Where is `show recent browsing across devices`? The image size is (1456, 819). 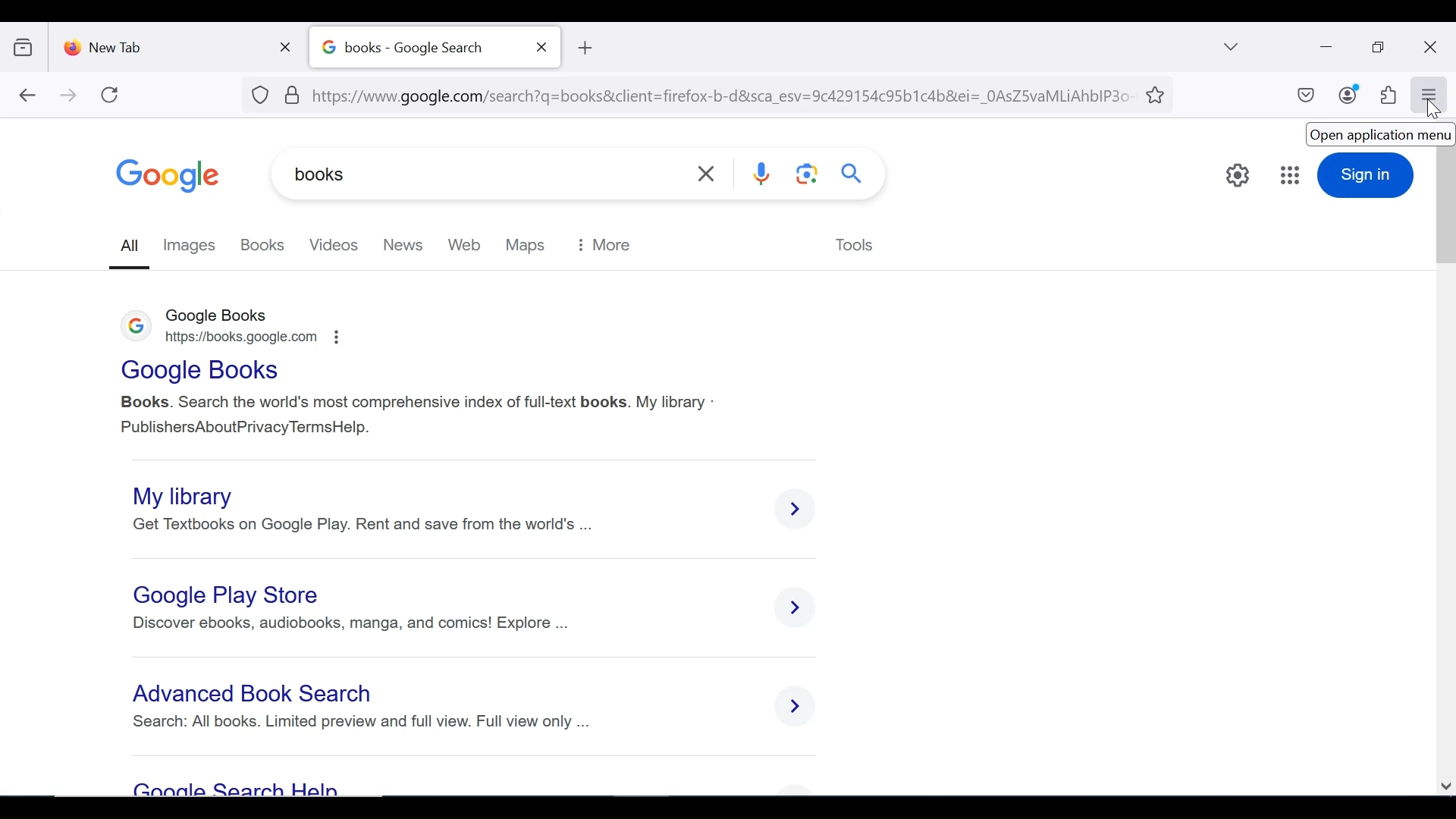 show recent browsing across devices is located at coordinates (27, 45).